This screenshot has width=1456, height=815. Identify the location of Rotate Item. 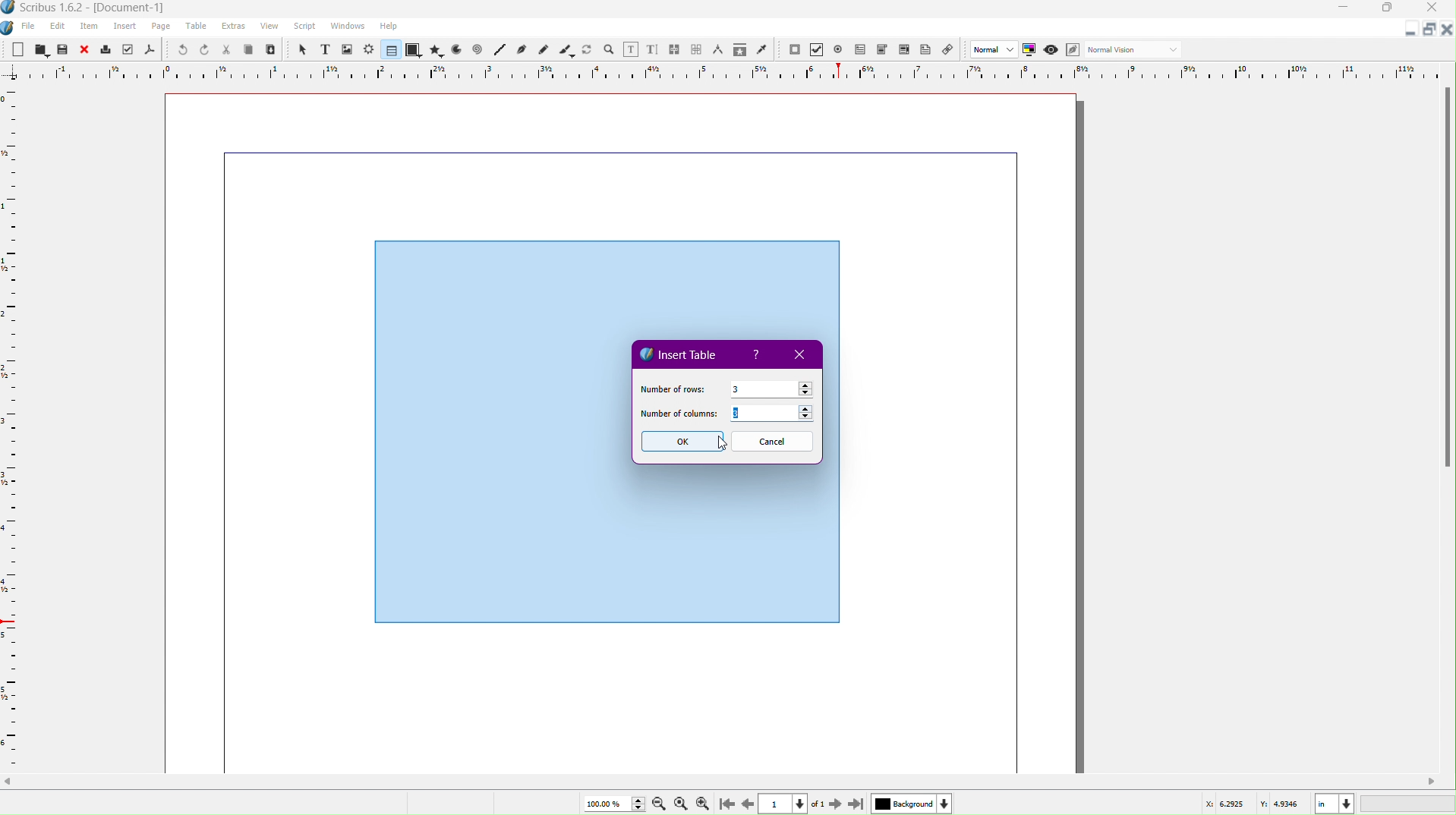
(587, 49).